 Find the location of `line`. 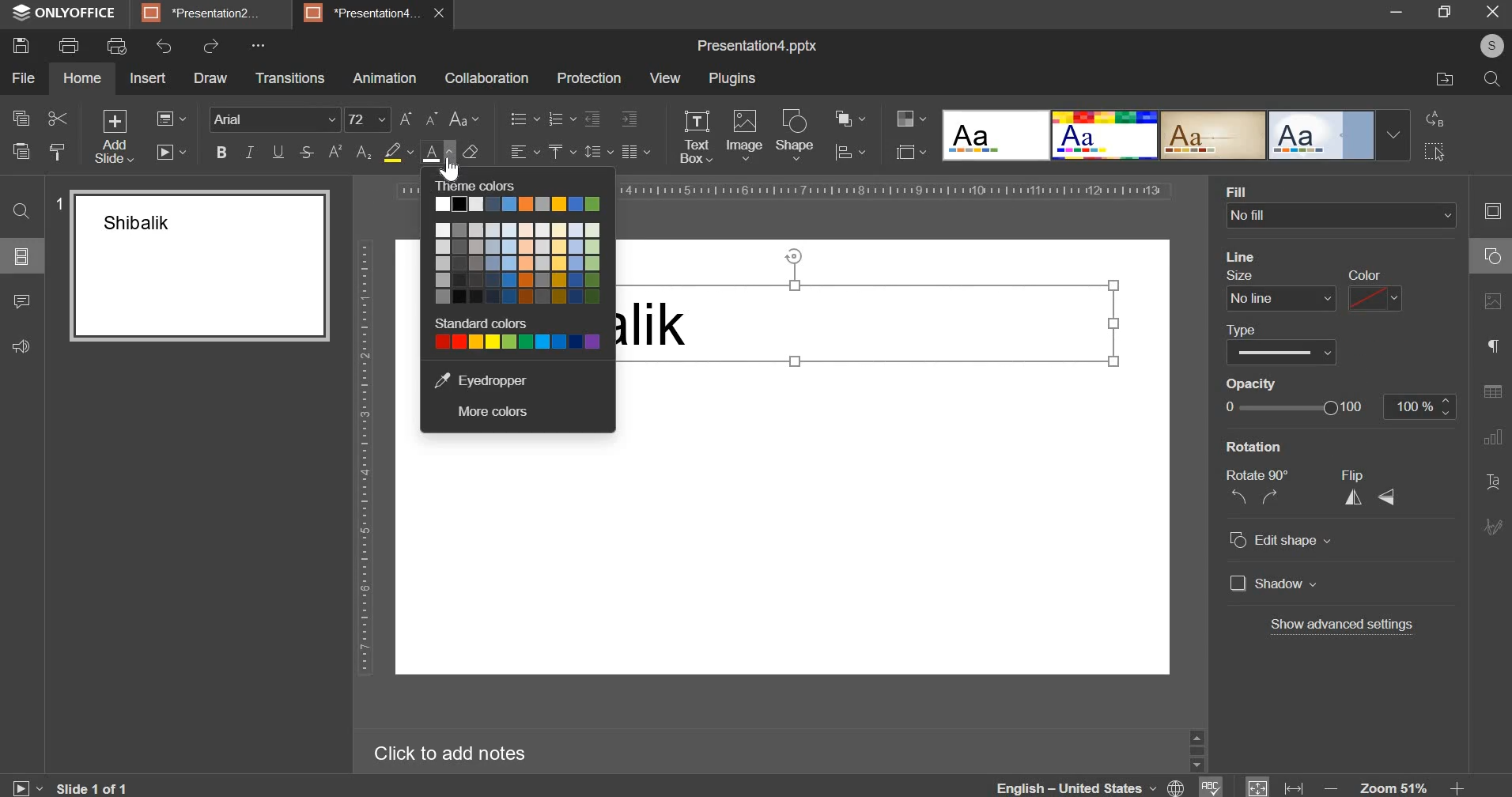

line is located at coordinates (1248, 255).